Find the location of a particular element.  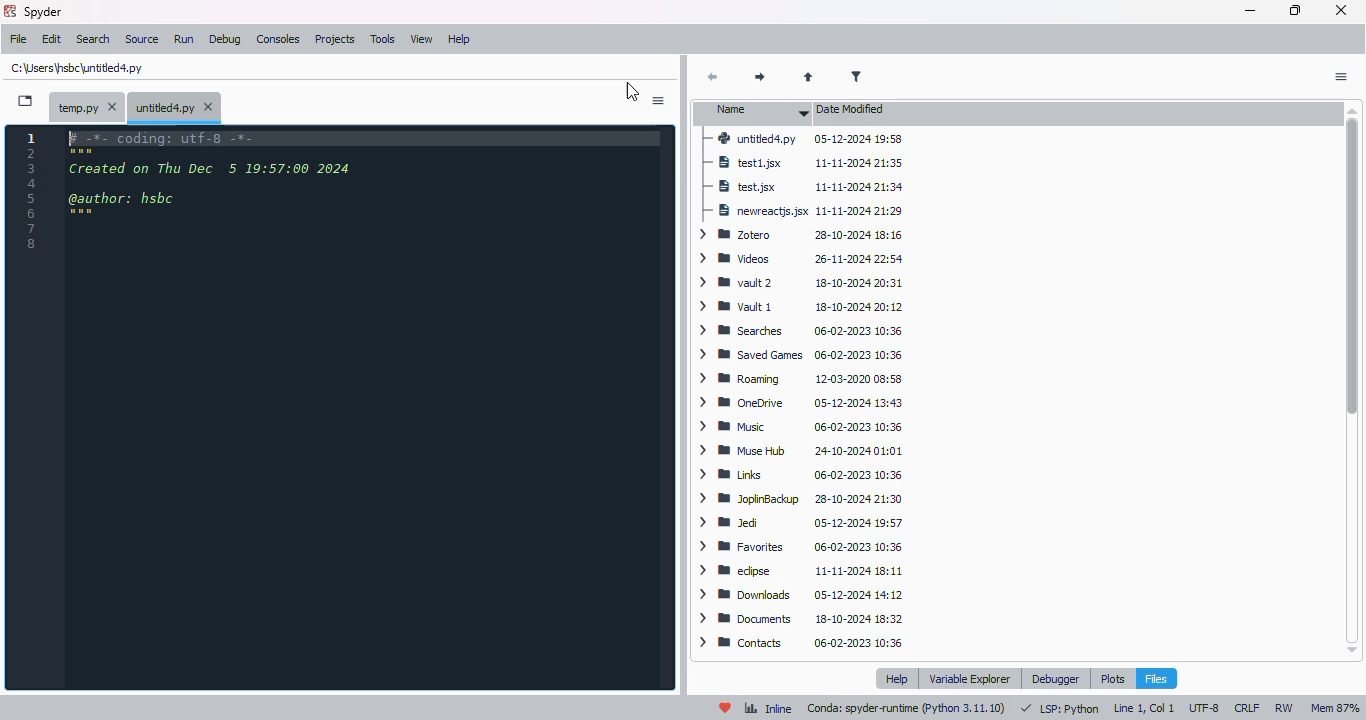

close is located at coordinates (1340, 10).